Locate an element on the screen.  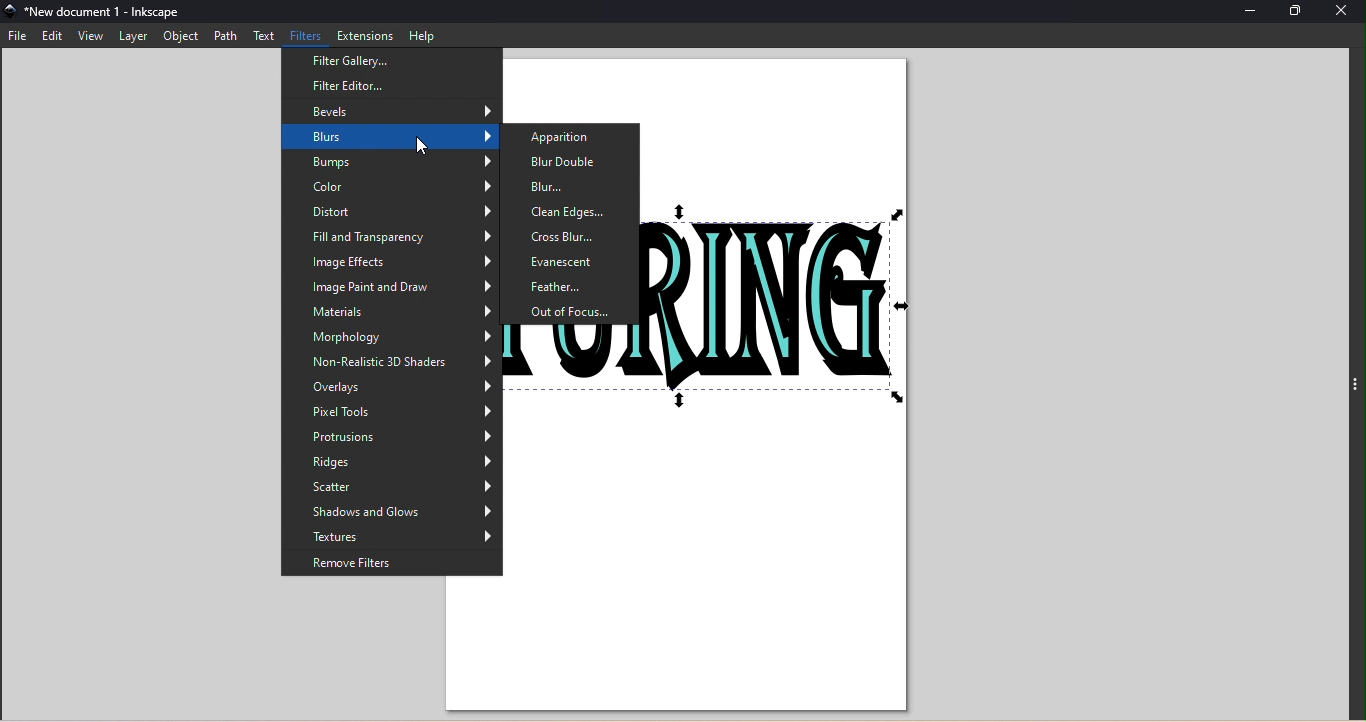
Path is located at coordinates (224, 36).